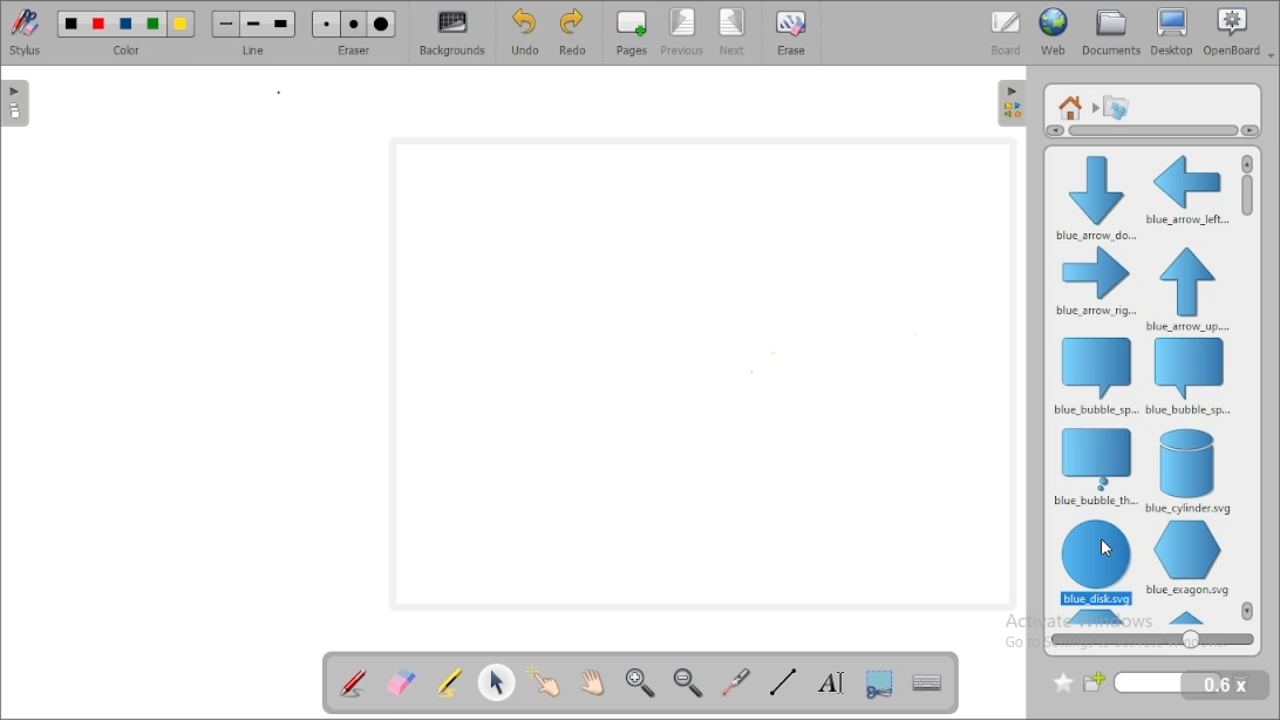 This screenshot has height=720, width=1280. What do you see at coordinates (498, 681) in the screenshot?
I see `select and modify objects` at bounding box center [498, 681].